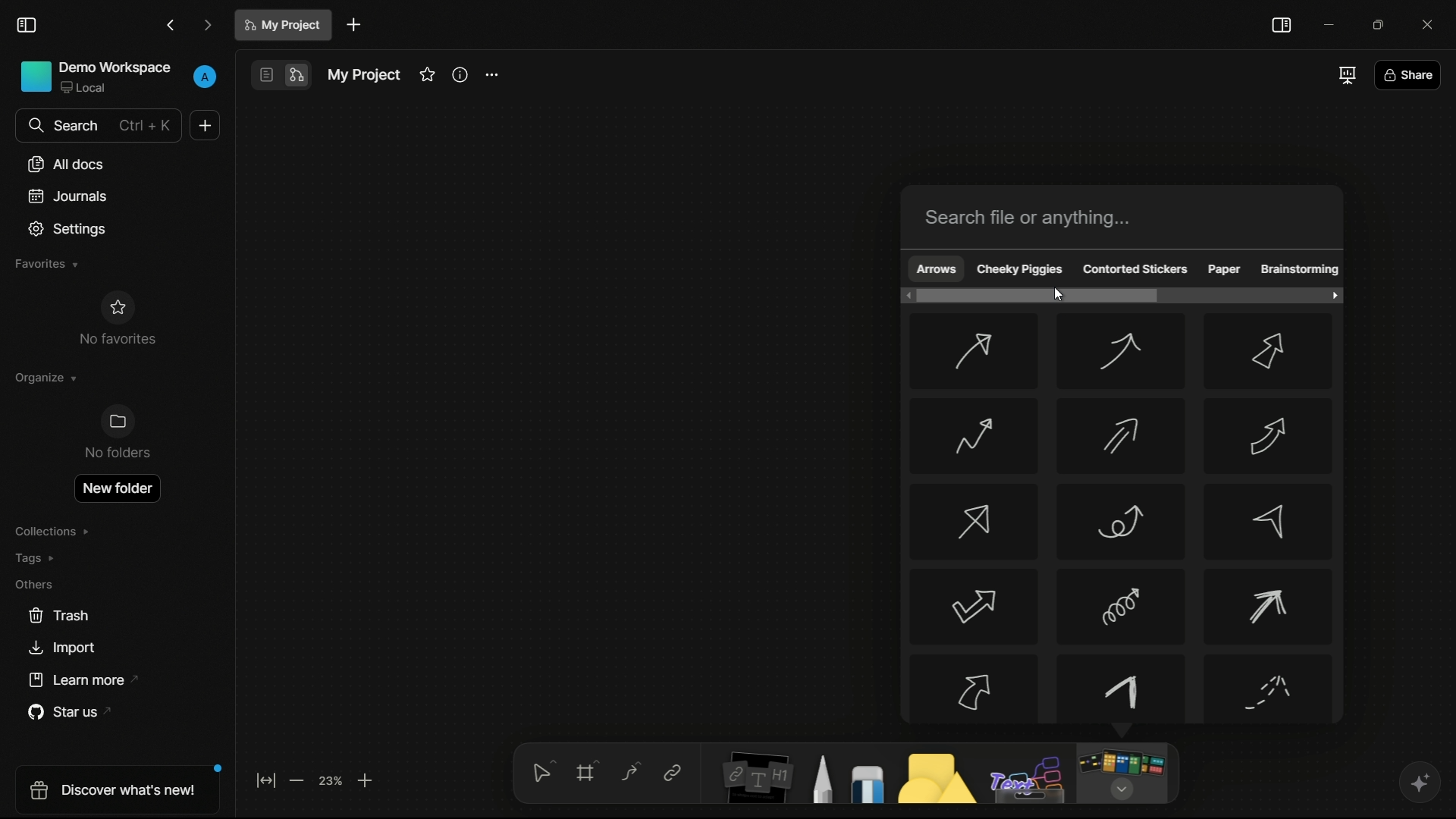 The image size is (1456, 819). I want to click on fit to screen, so click(265, 780).